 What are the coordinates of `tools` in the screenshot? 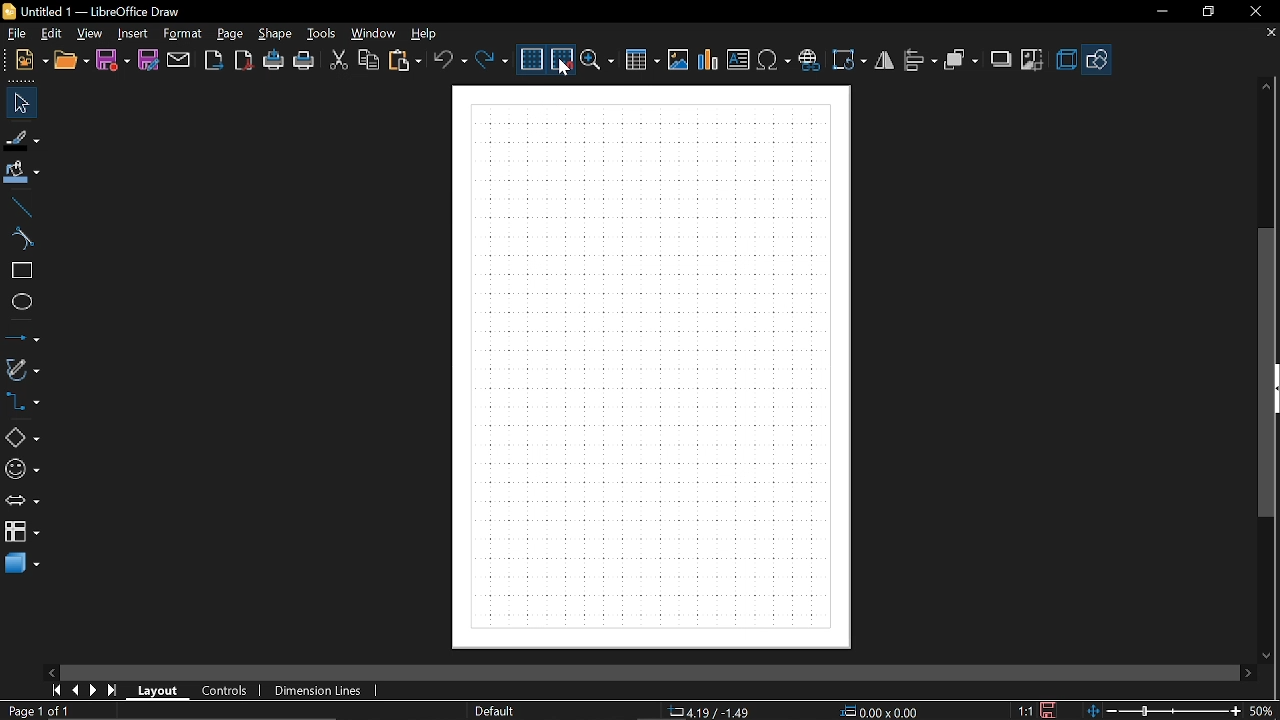 It's located at (323, 34).